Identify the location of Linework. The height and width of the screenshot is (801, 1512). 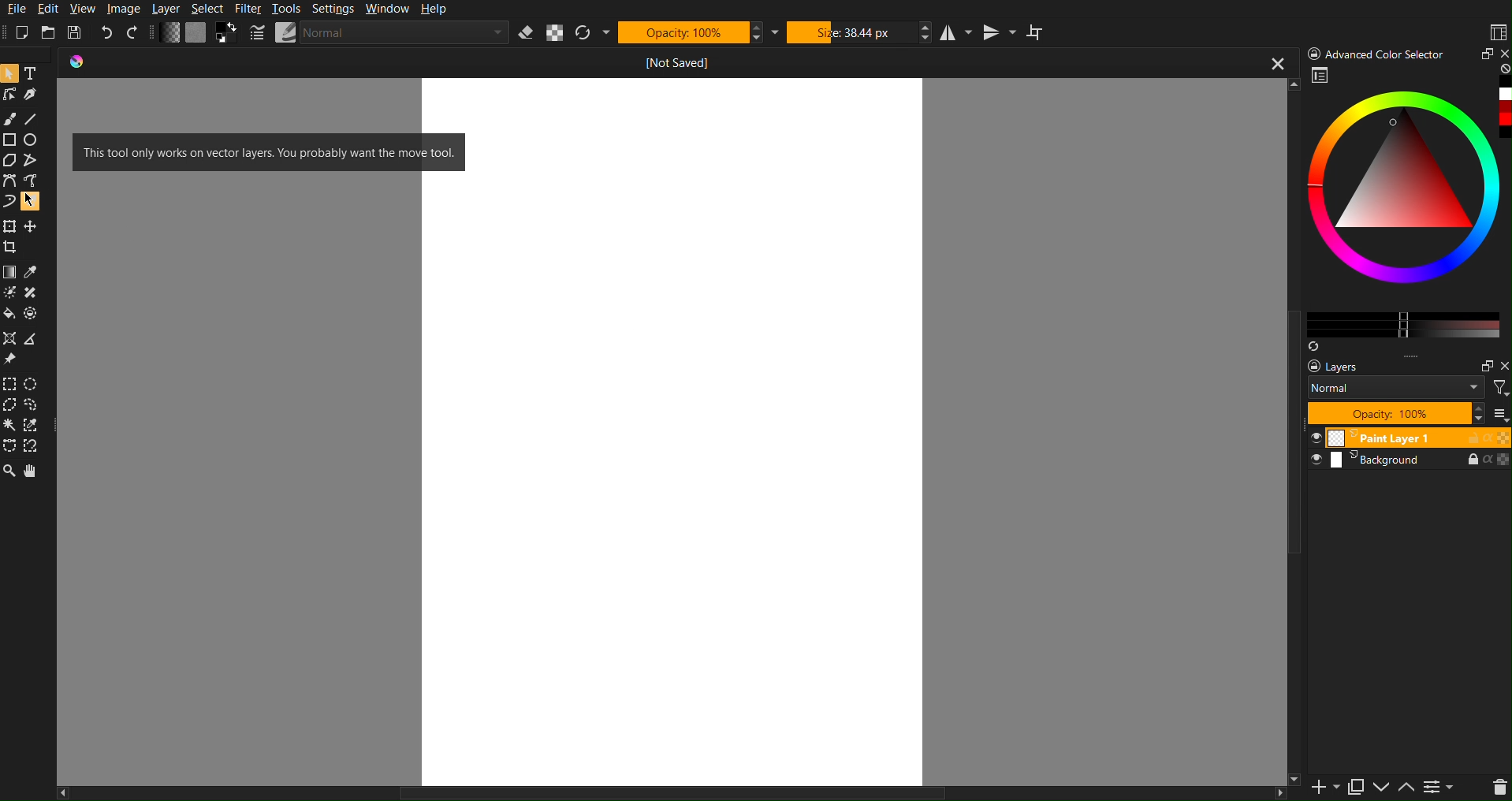
(10, 95).